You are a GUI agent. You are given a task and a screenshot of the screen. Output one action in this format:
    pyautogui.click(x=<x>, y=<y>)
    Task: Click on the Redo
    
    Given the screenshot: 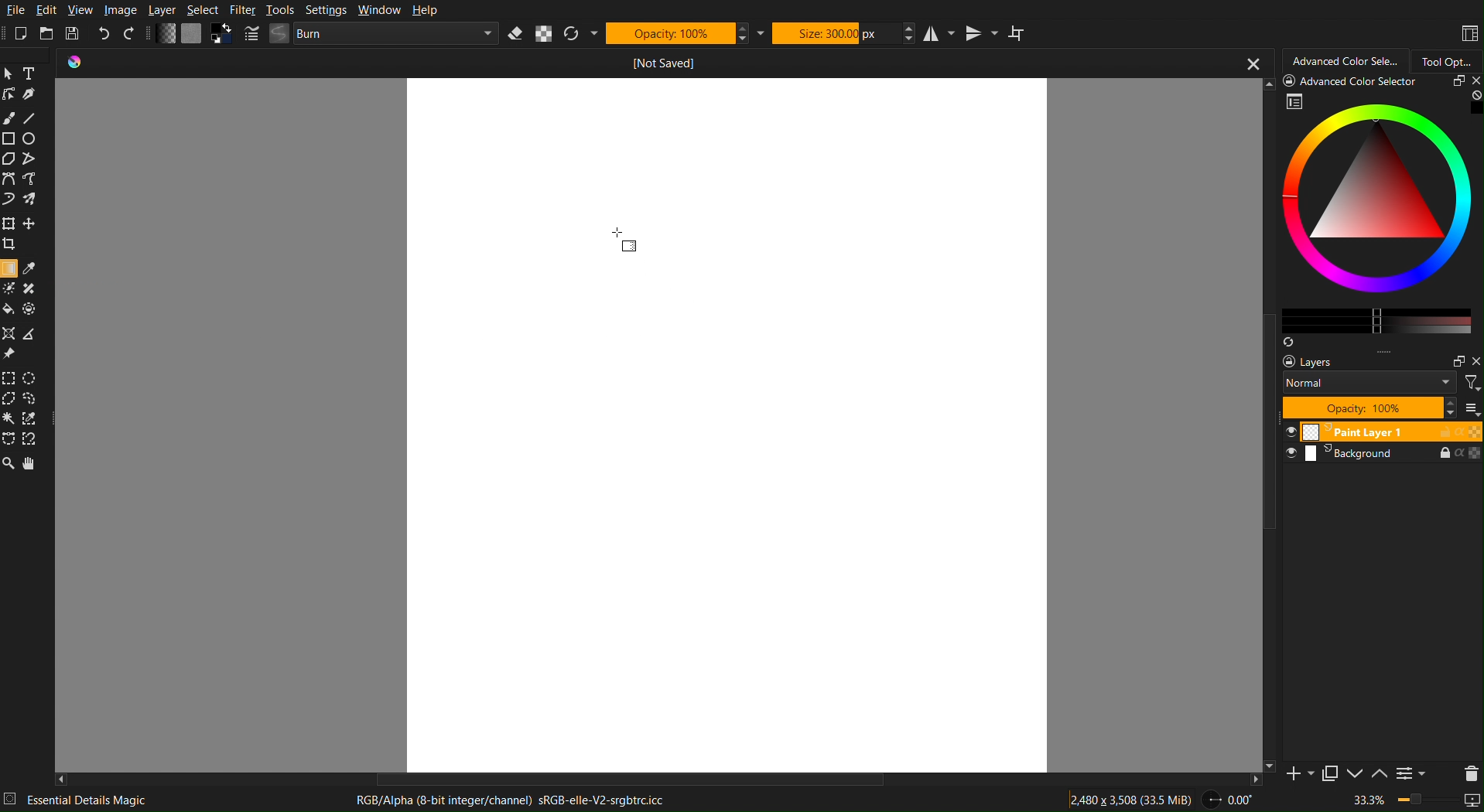 What is the action you would take?
    pyautogui.click(x=132, y=35)
    